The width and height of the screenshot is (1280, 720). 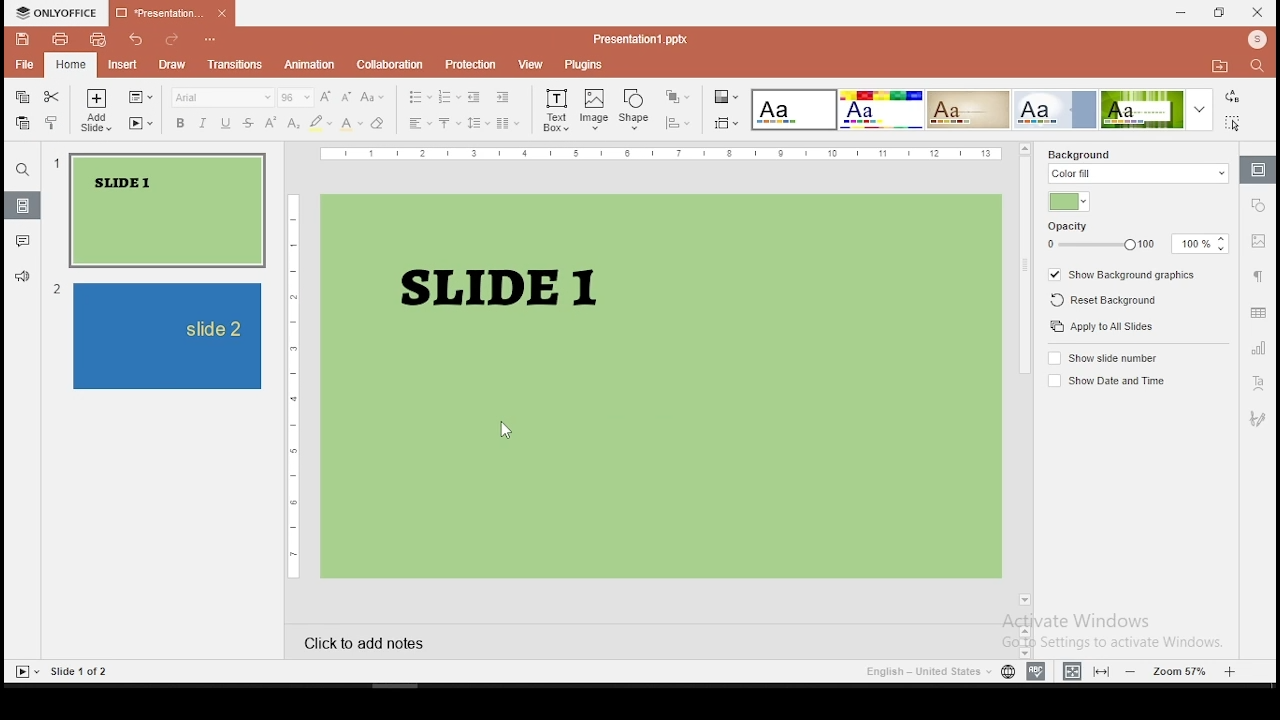 I want to click on superscript, so click(x=270, y=121).